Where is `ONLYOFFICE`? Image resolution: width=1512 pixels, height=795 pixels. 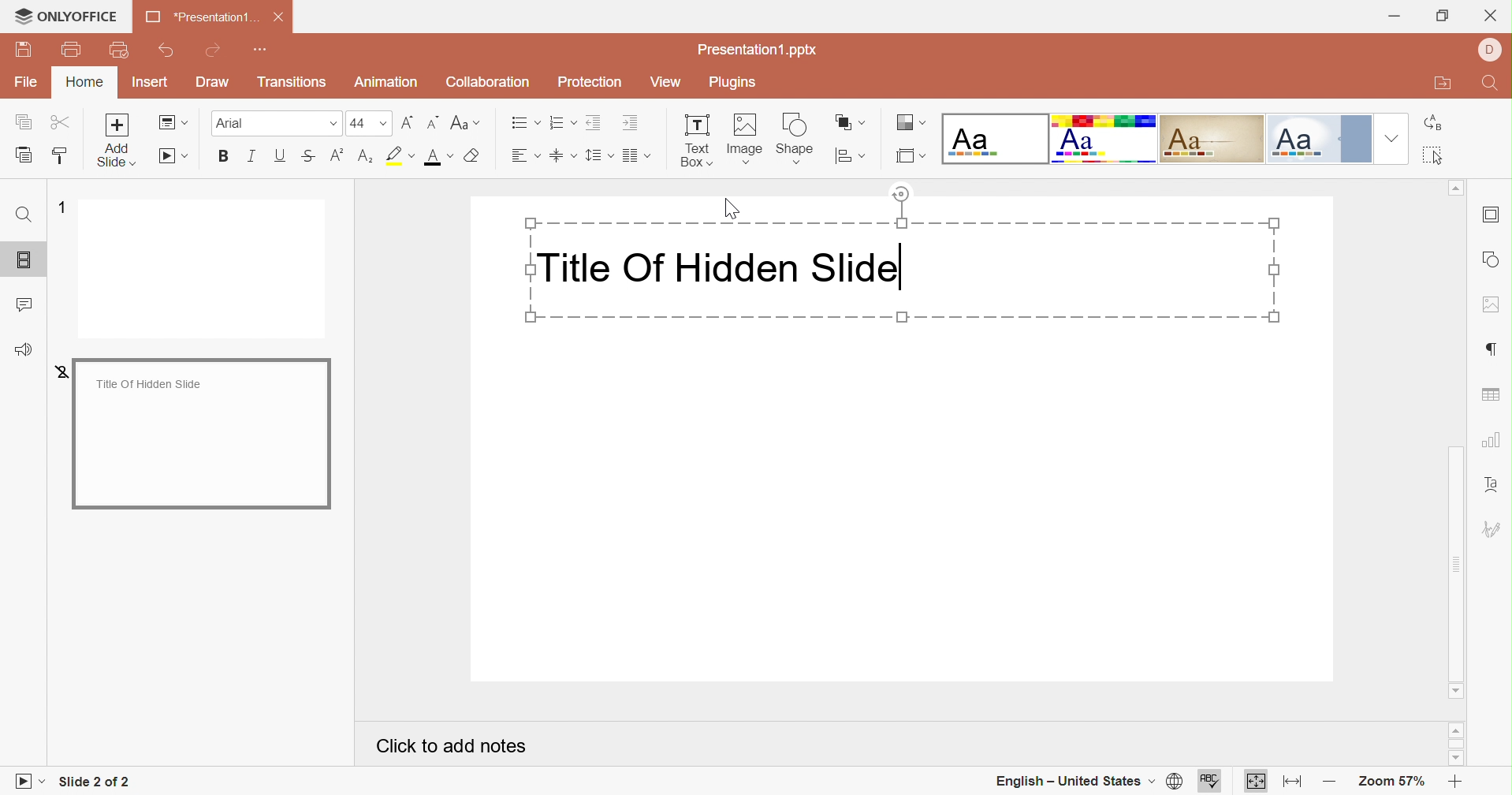 ONLYOFFICE is located at coordinates (66, 16).